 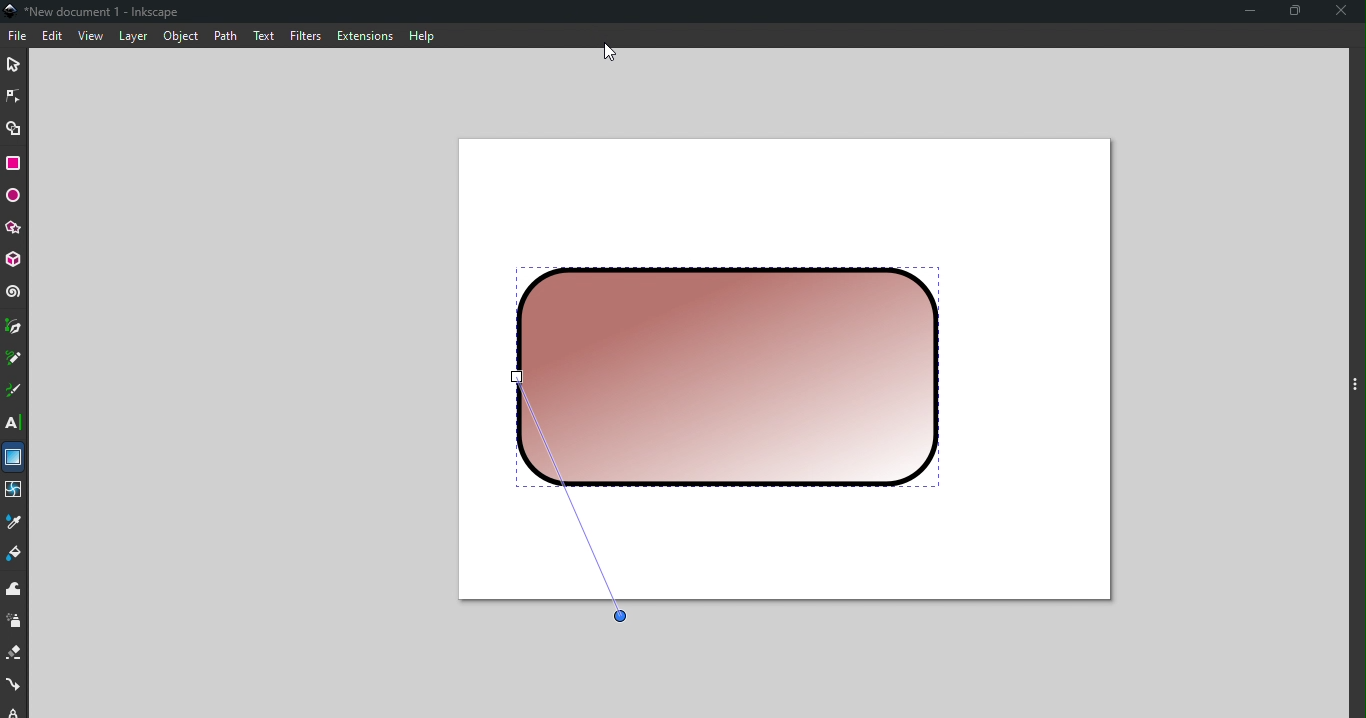 What do you see at coordinates (14, 127) in the screenshot?
I see `Shape builder tool` at bounding box center [14, 127].